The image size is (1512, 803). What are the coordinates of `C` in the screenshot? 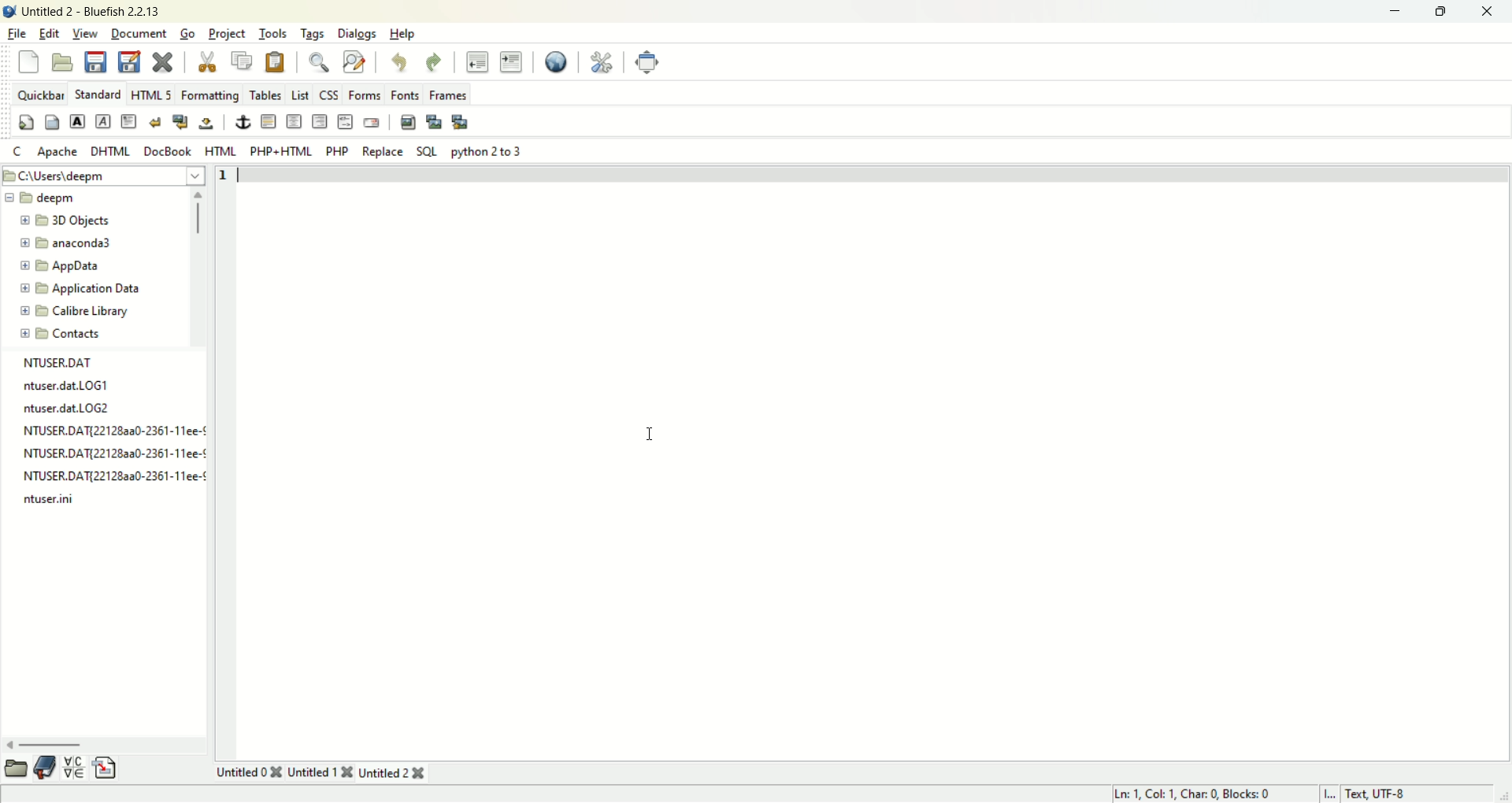 It's located at (18, 149).